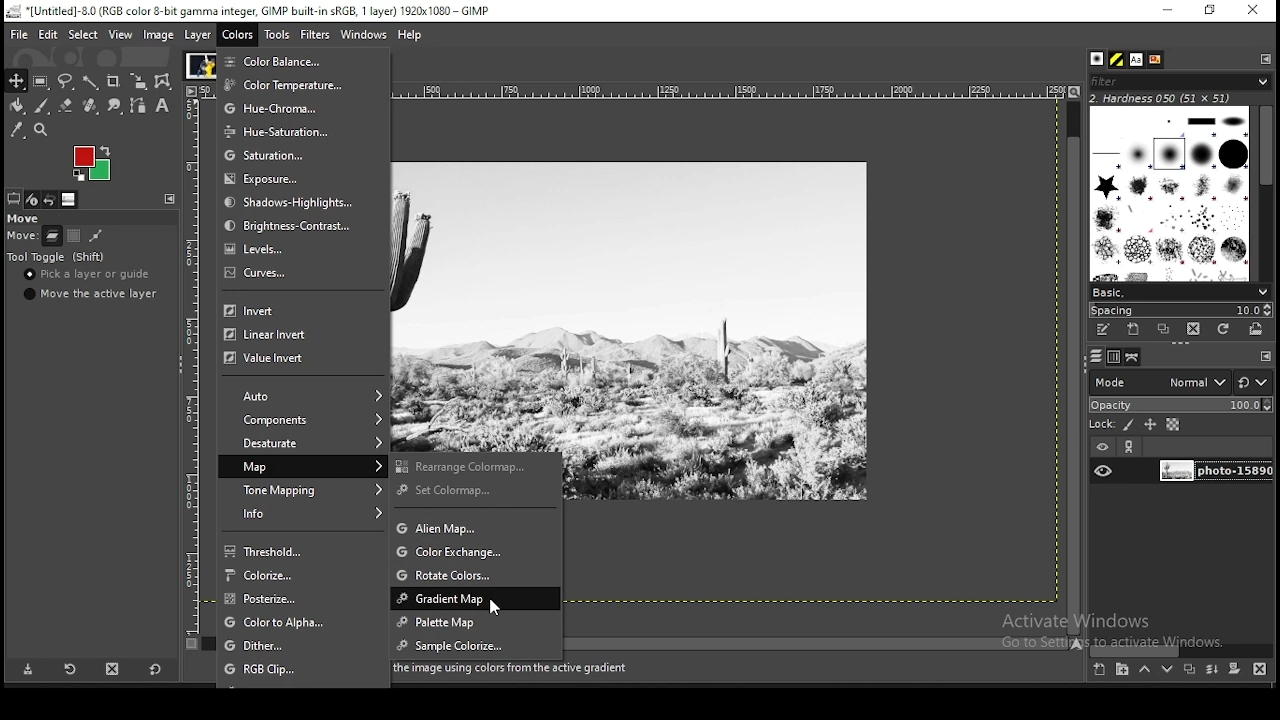  What do you see at coordinates (1171, 193) in the screenshot?
I see `brushes` at bounding box center [1171, 193].